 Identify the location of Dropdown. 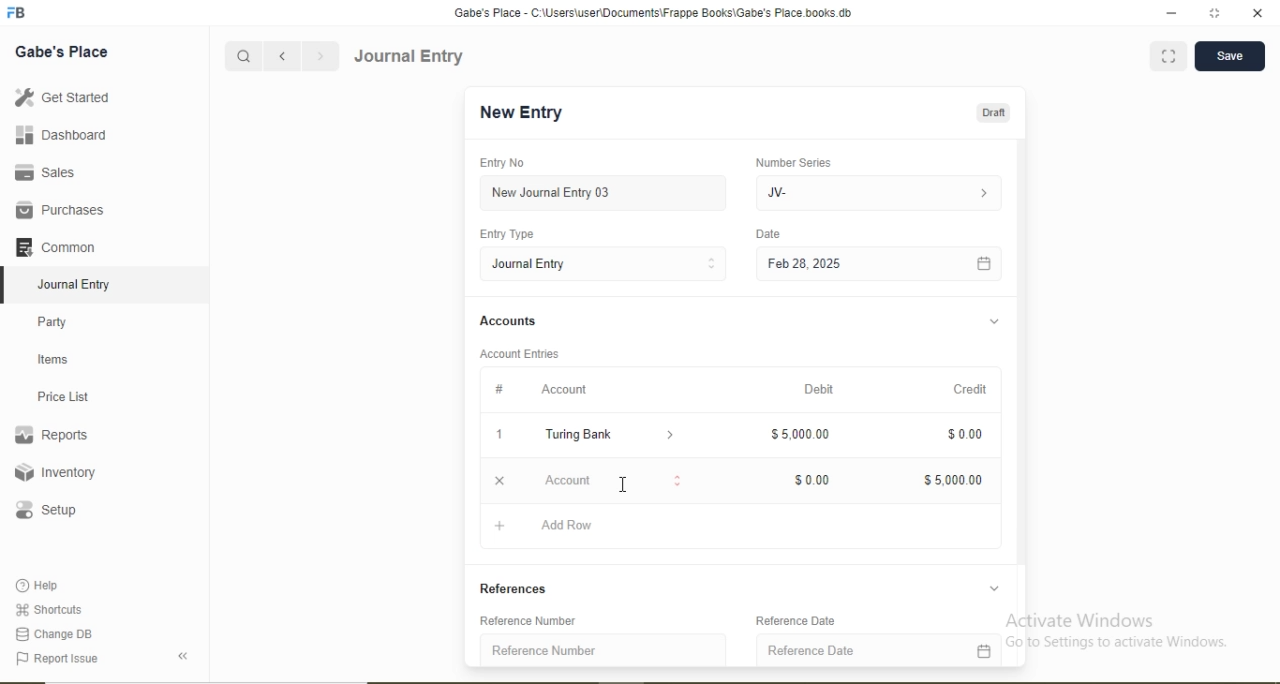
(994, 588).